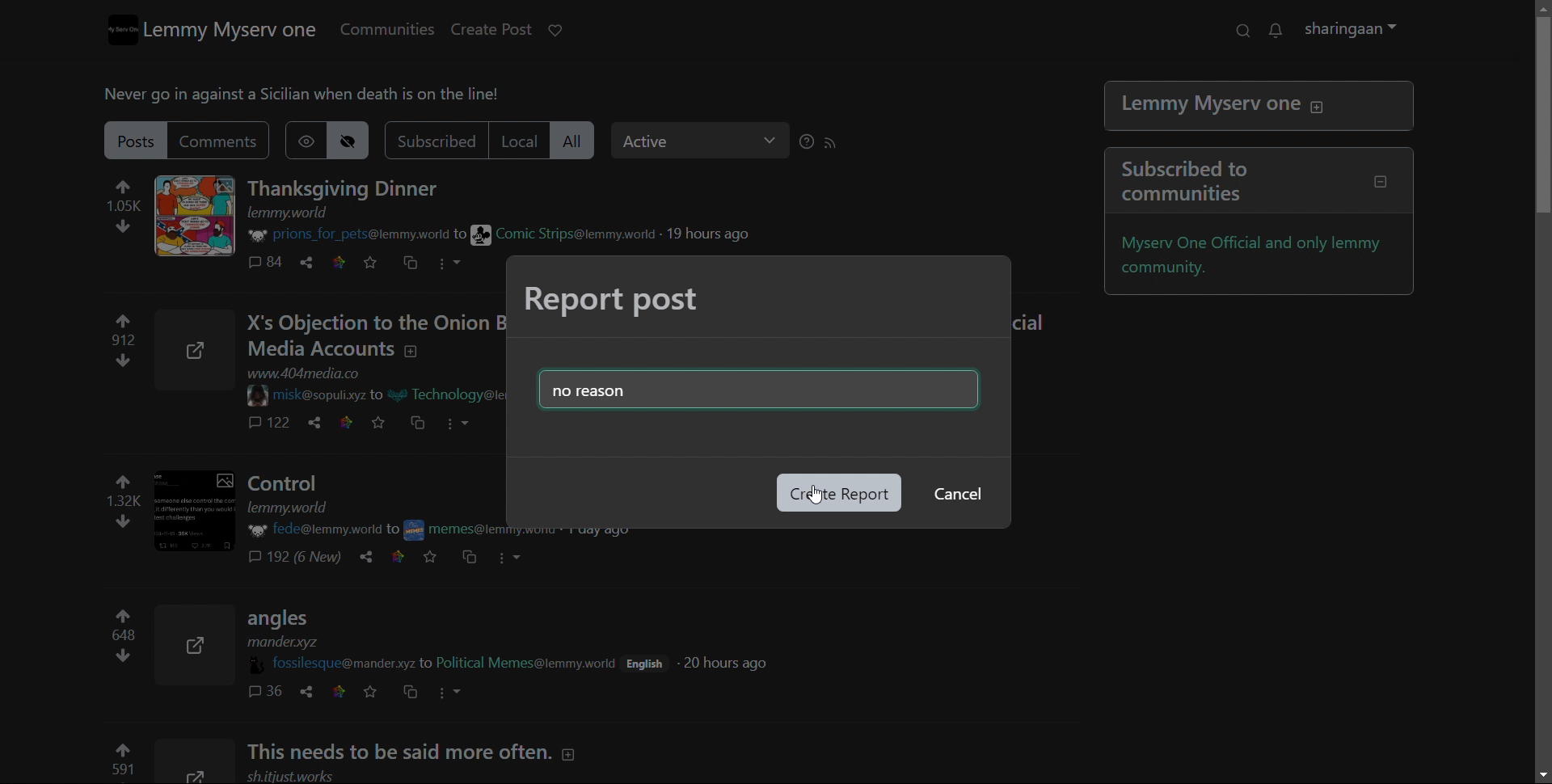  Describe the element at coordinates (603, 534) in the screenshot. I see `1 day ago (post time)` at that location.